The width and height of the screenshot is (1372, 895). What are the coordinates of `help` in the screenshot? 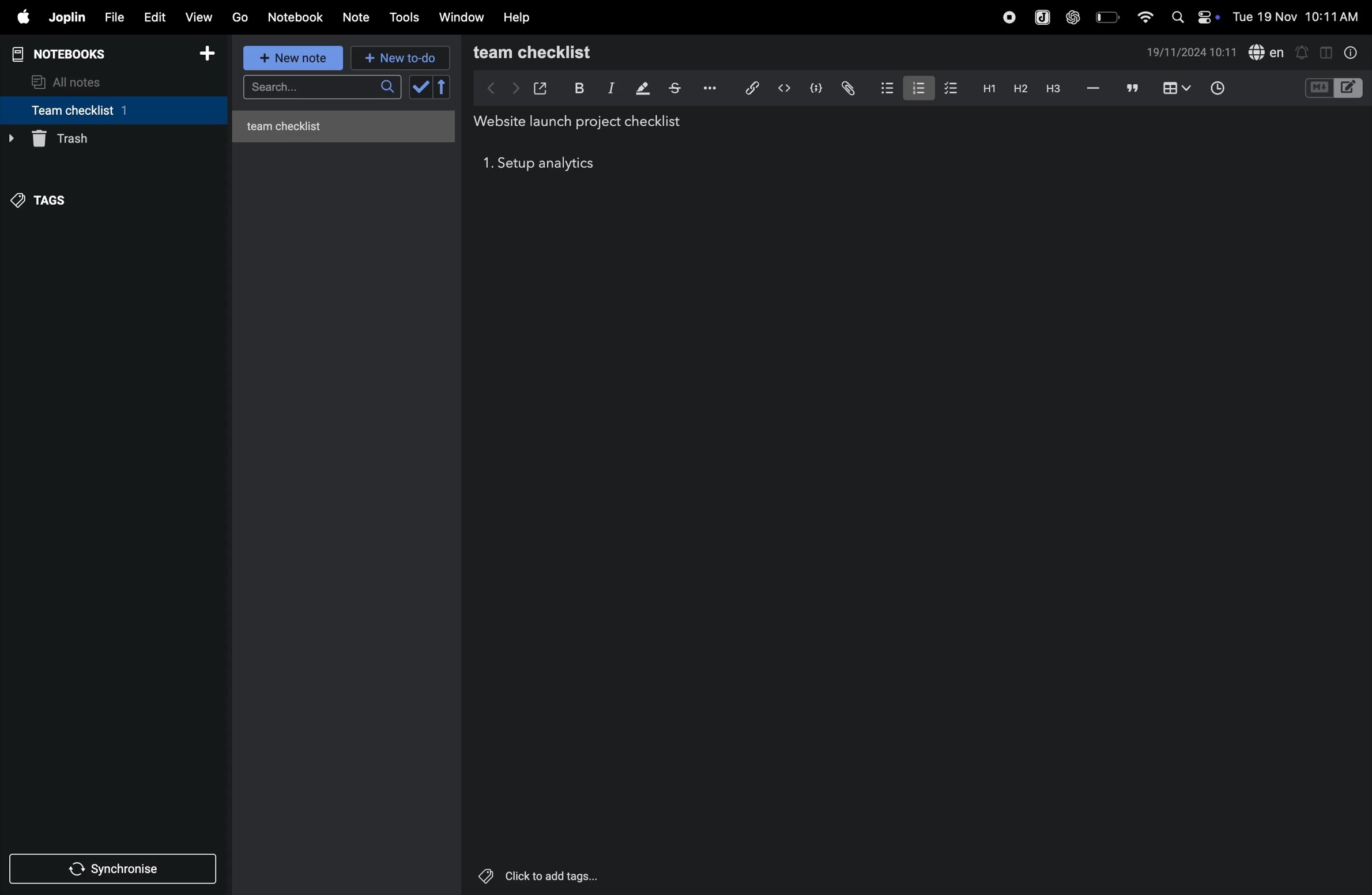 It's located at (520, 17).